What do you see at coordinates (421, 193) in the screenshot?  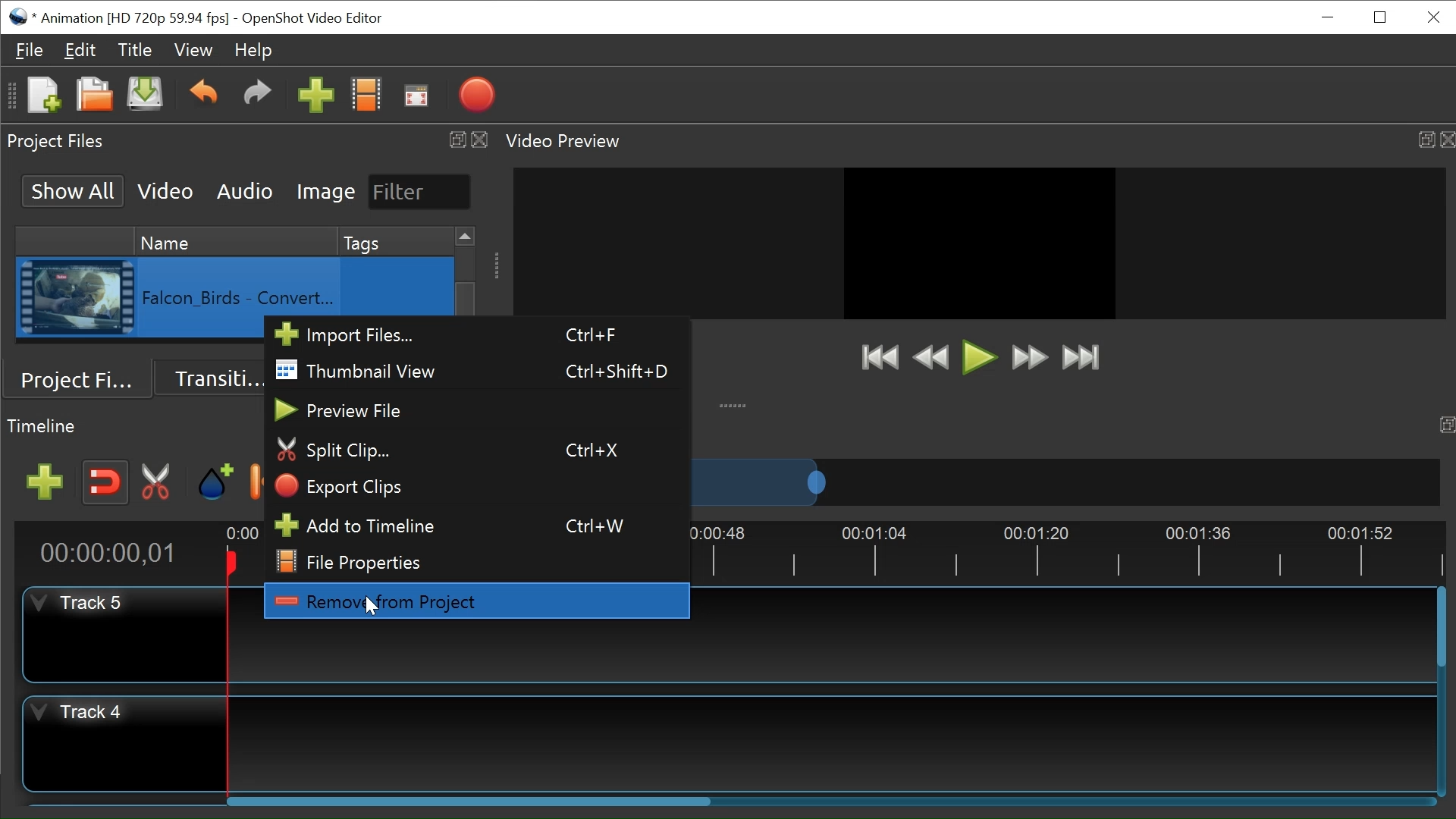 I see `Filter` at bounding box center [421, 193].